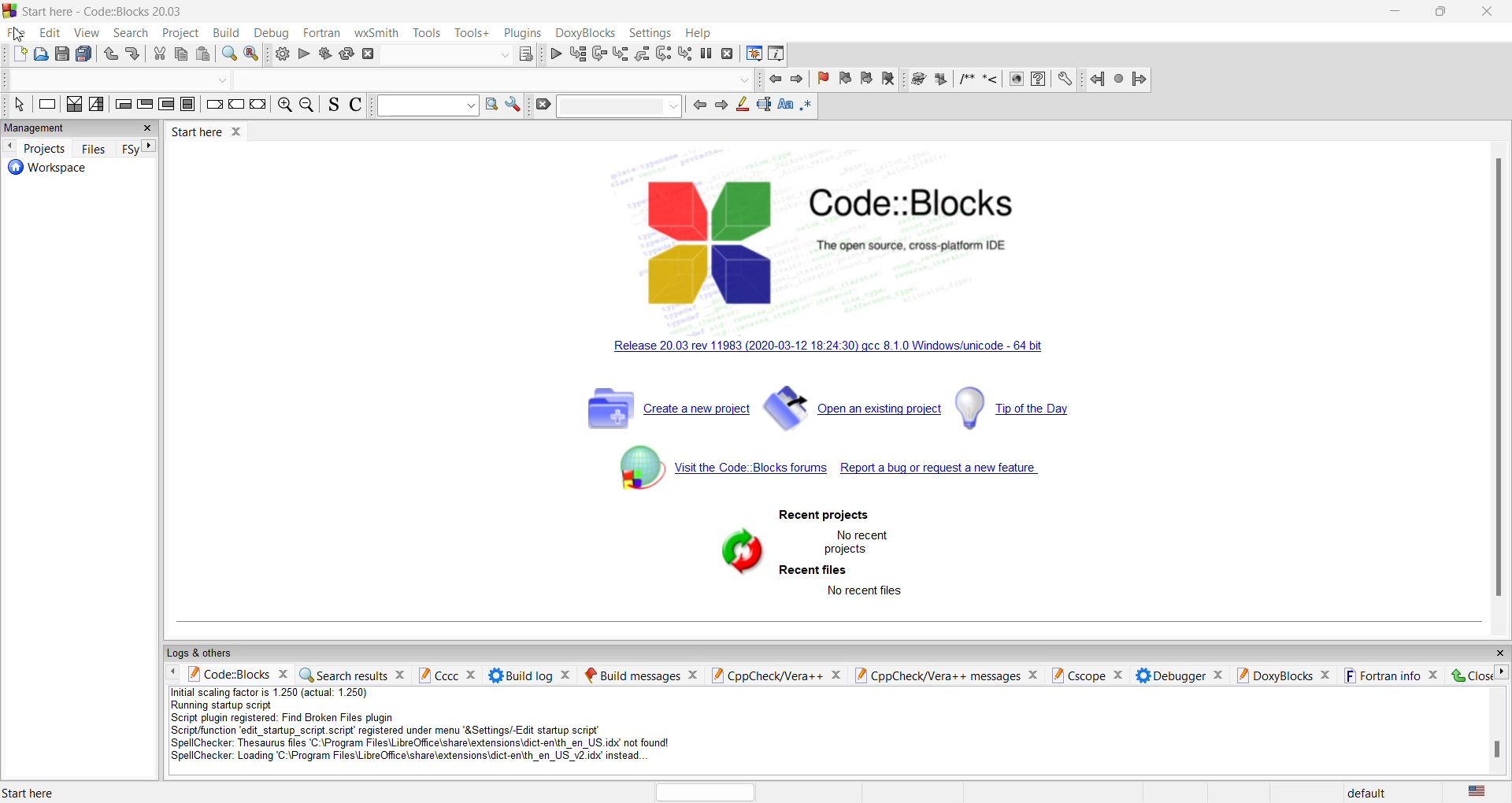  What do you see at coordinates (1497, 373) in the screenshot?
I see `scroll bar` at bounding box center [1497, 373].